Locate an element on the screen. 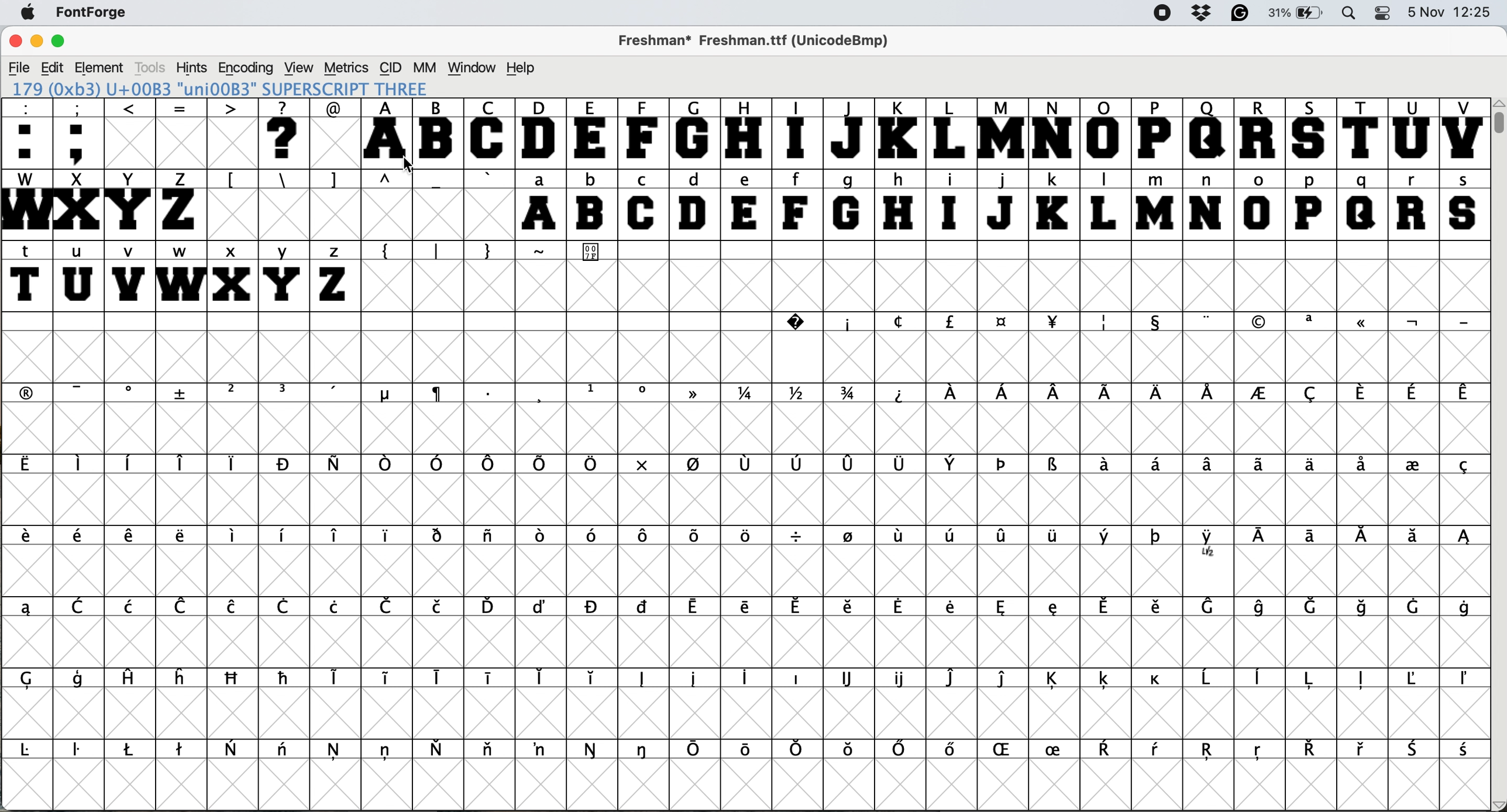  symbol is located at coordinates (1360, 393).